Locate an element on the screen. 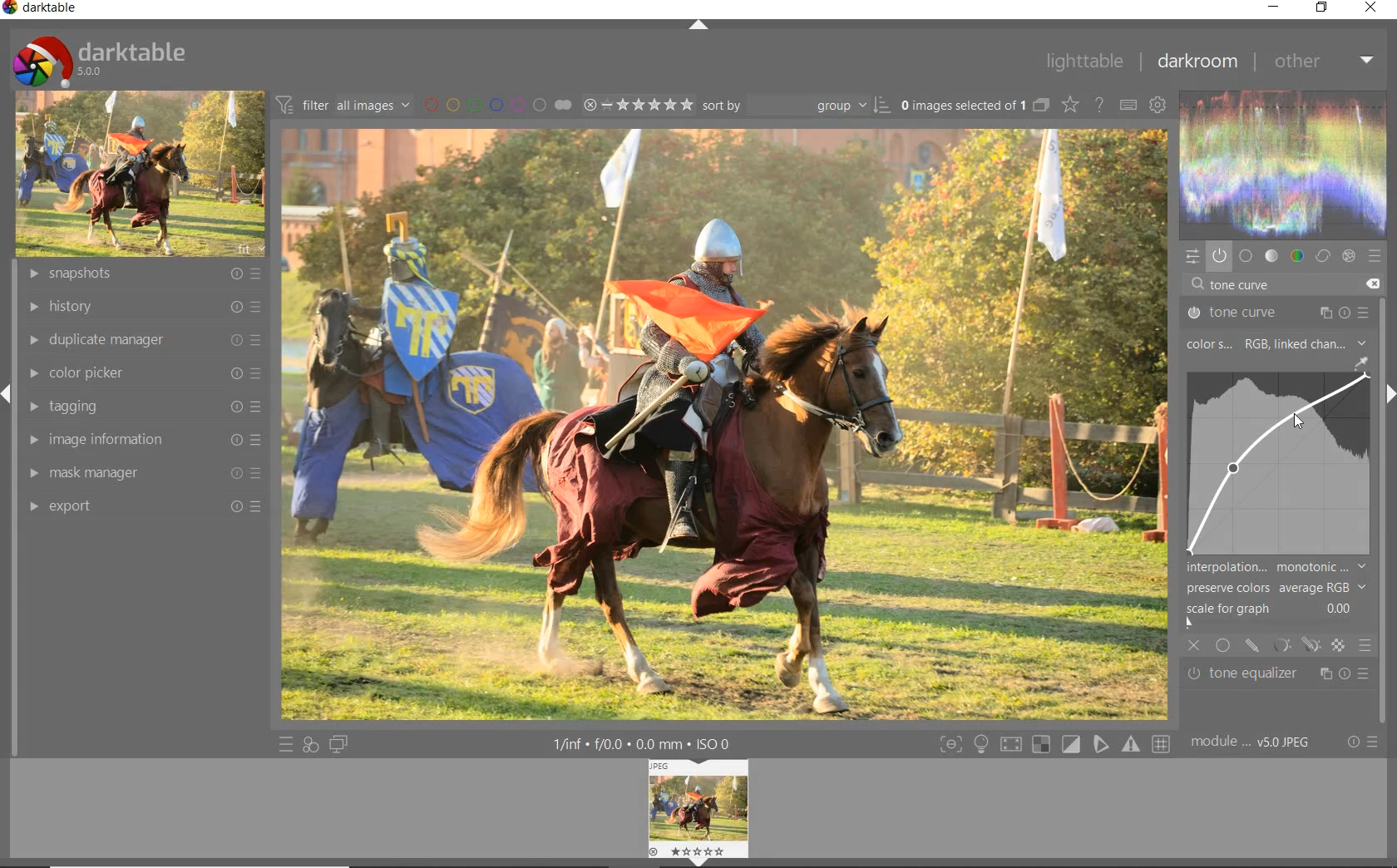 The height and width of the screenshot is (868, 1397). presets is located at coordinates (1375, 257).